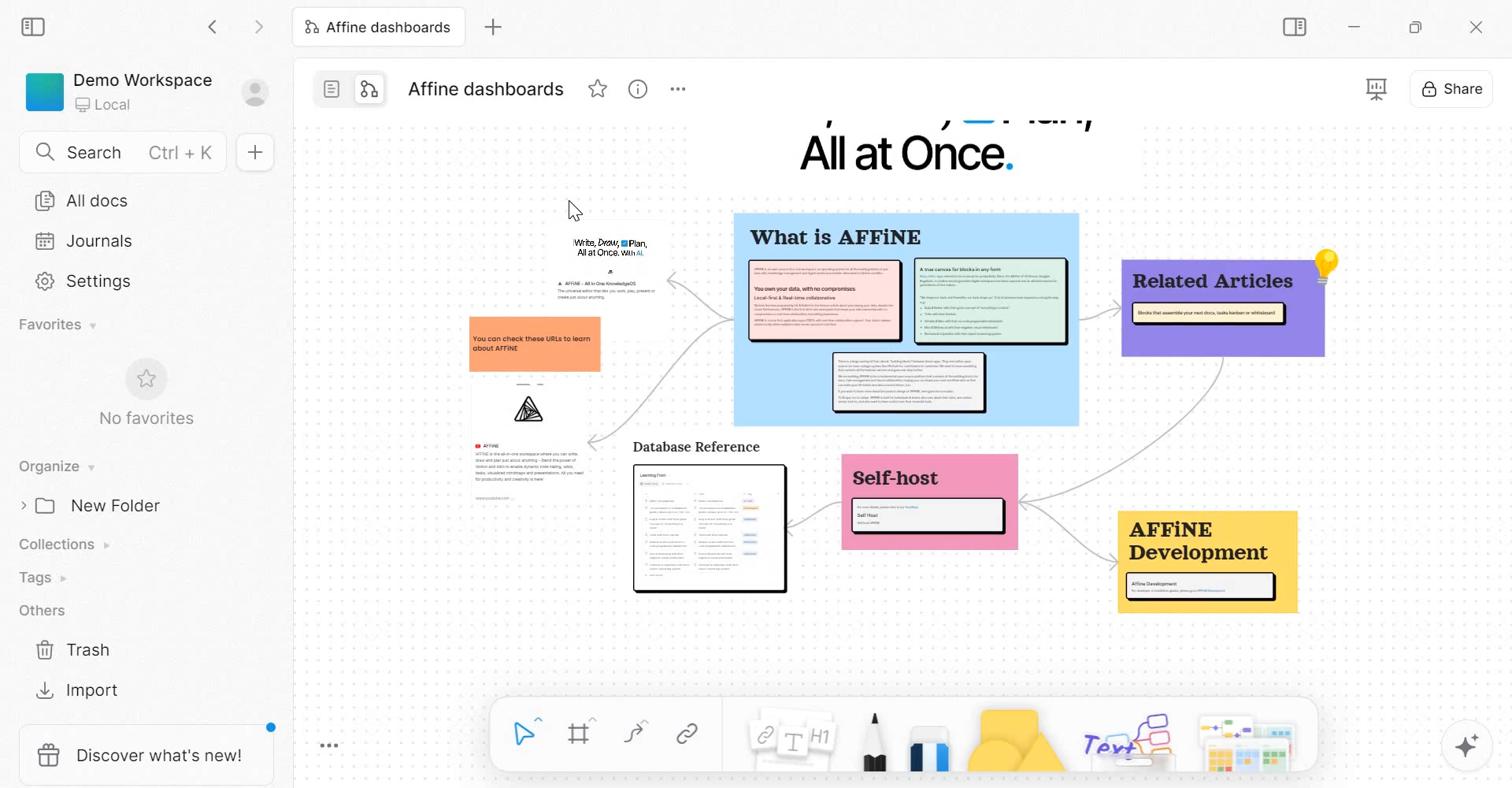  What do you see at coordinates (1130, 741) in the screenshot?
I see `others` at bounding box center [1130, 741].